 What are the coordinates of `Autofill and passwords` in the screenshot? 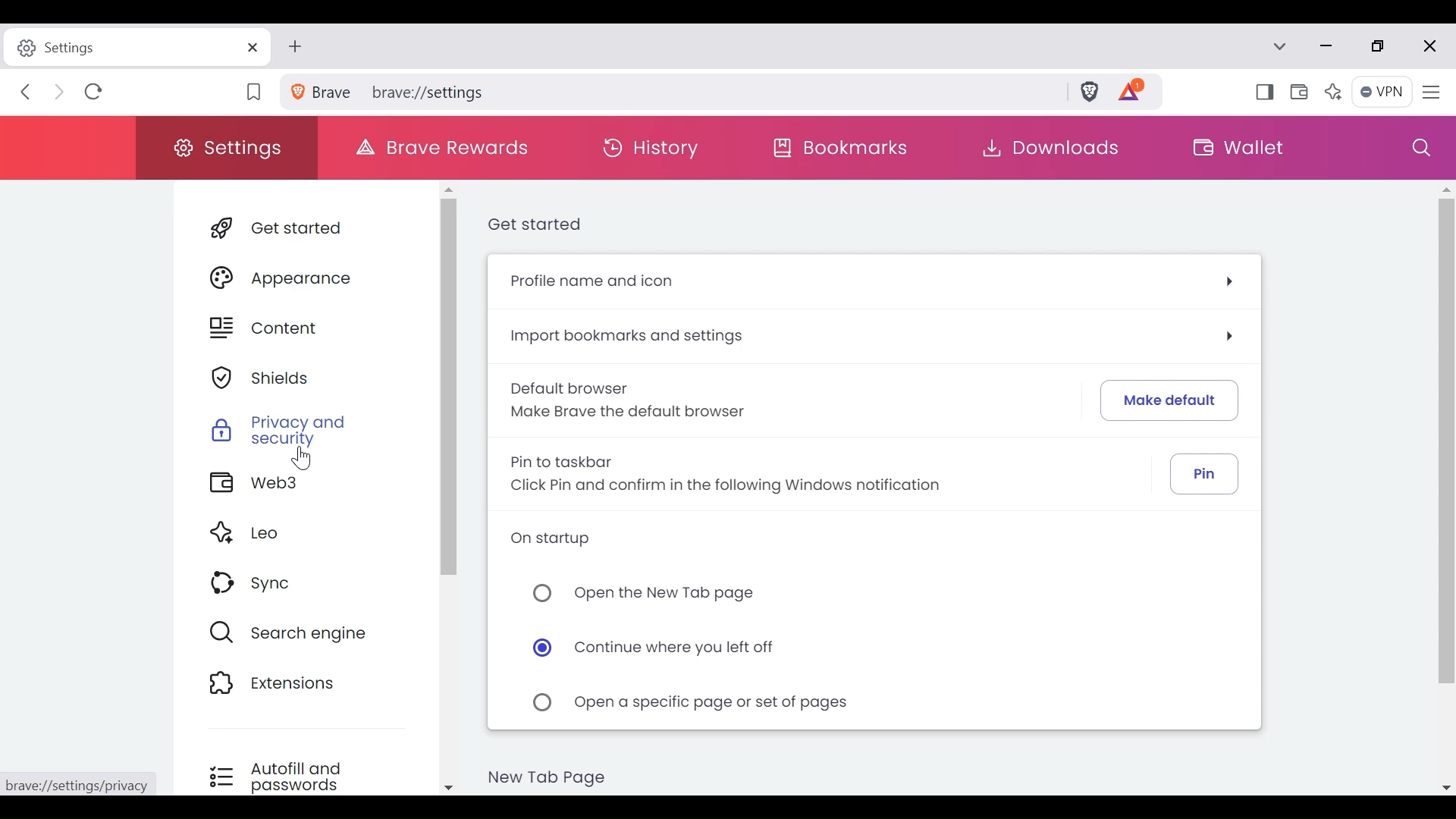 It's located at (294, 776).